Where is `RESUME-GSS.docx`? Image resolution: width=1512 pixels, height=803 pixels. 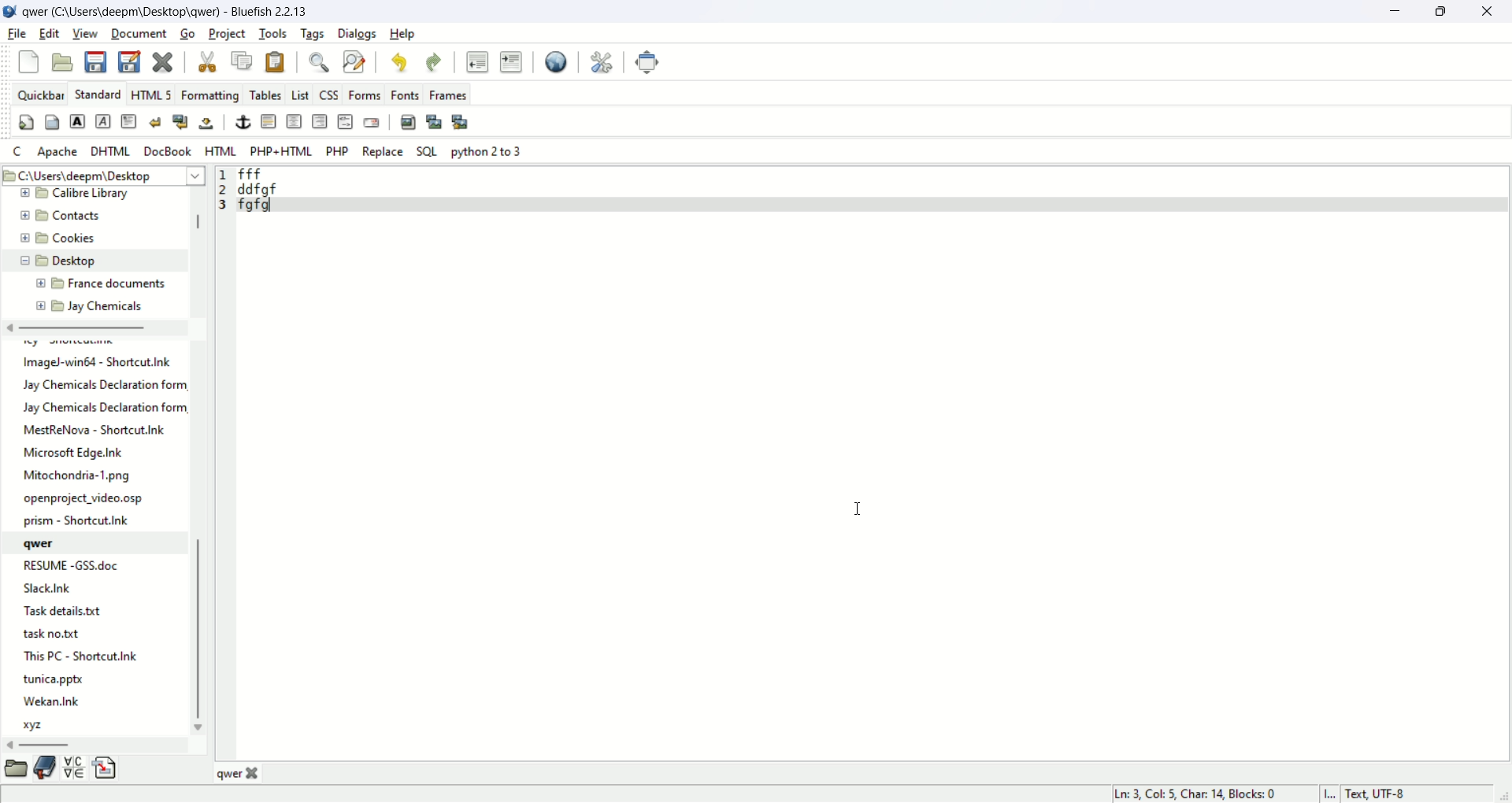
RESUME-GSS.docx is located at coordinates (69, 567).